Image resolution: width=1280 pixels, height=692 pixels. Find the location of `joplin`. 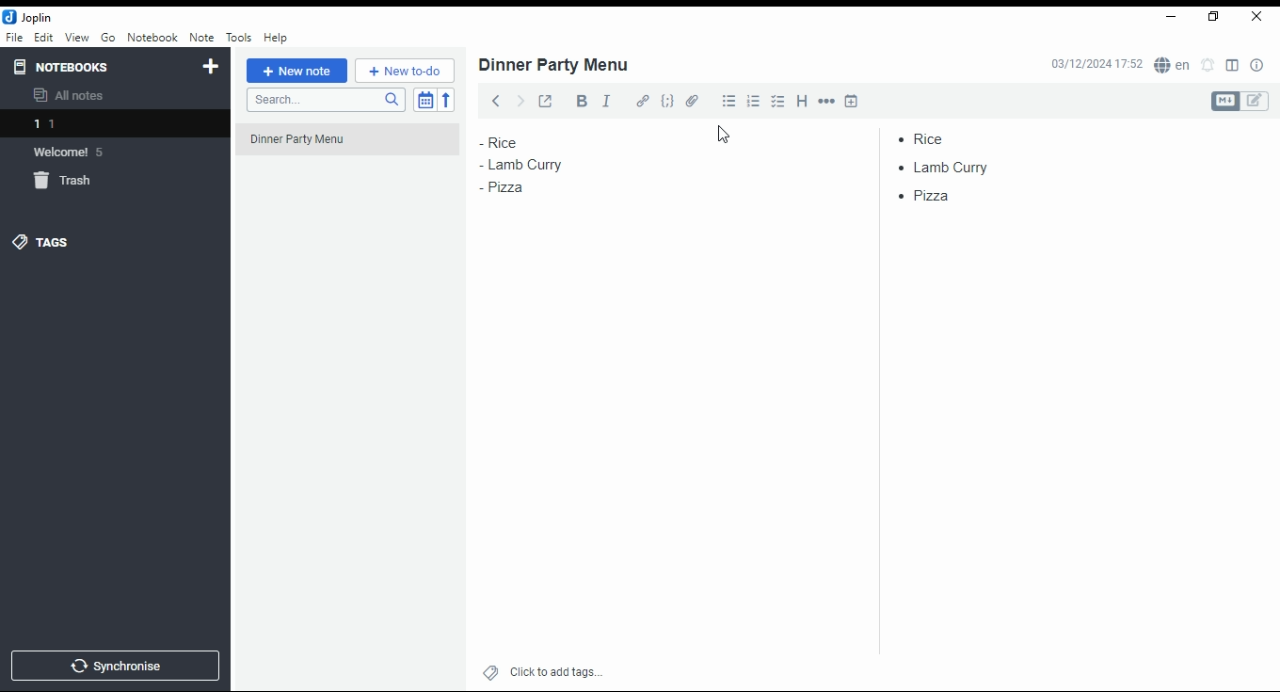

joplin is located at coordinates (29, 17).